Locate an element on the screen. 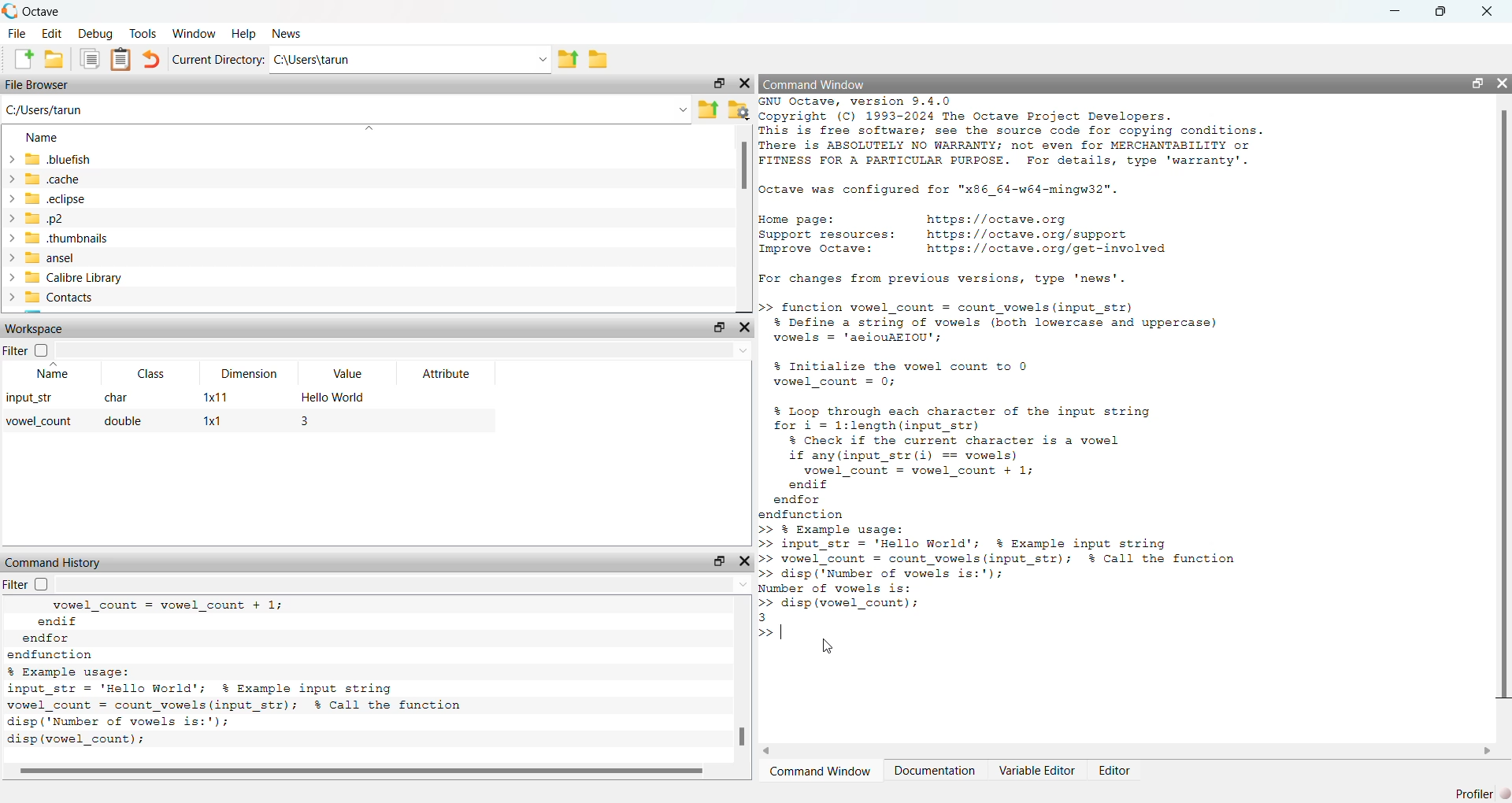  .cache is located at coordinates (54, 178).